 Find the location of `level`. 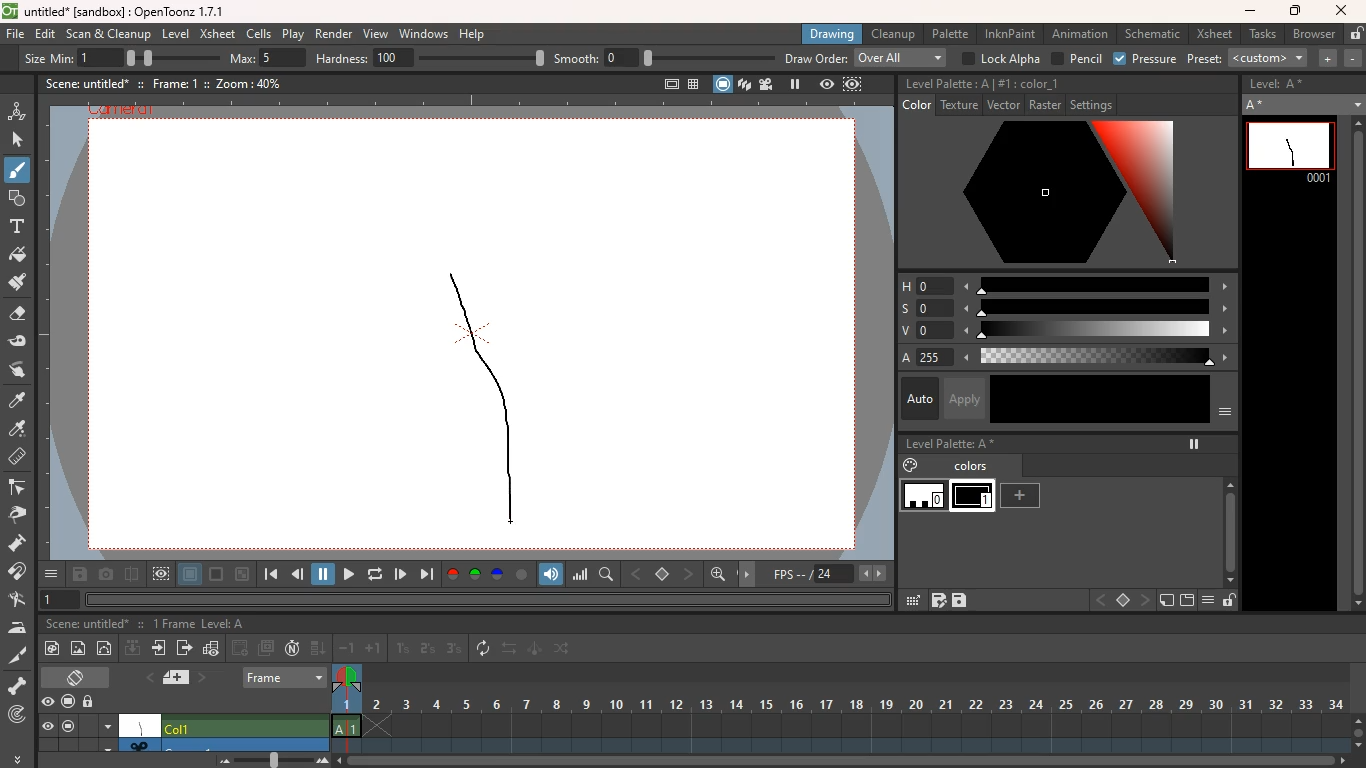

level is located at coordinates (924, 498).